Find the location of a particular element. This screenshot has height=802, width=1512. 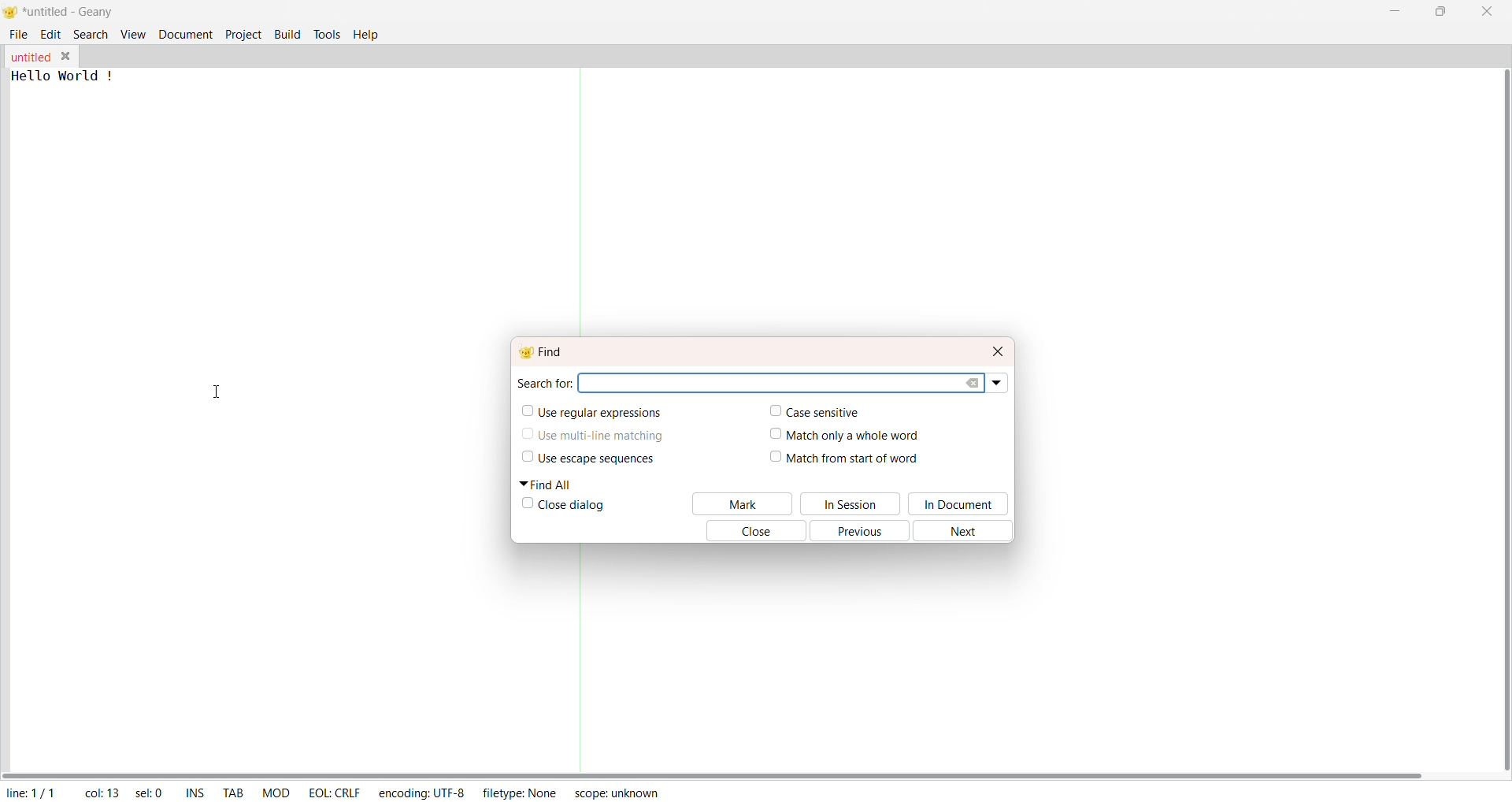

Minimize is located at coordinates (1391, 12).